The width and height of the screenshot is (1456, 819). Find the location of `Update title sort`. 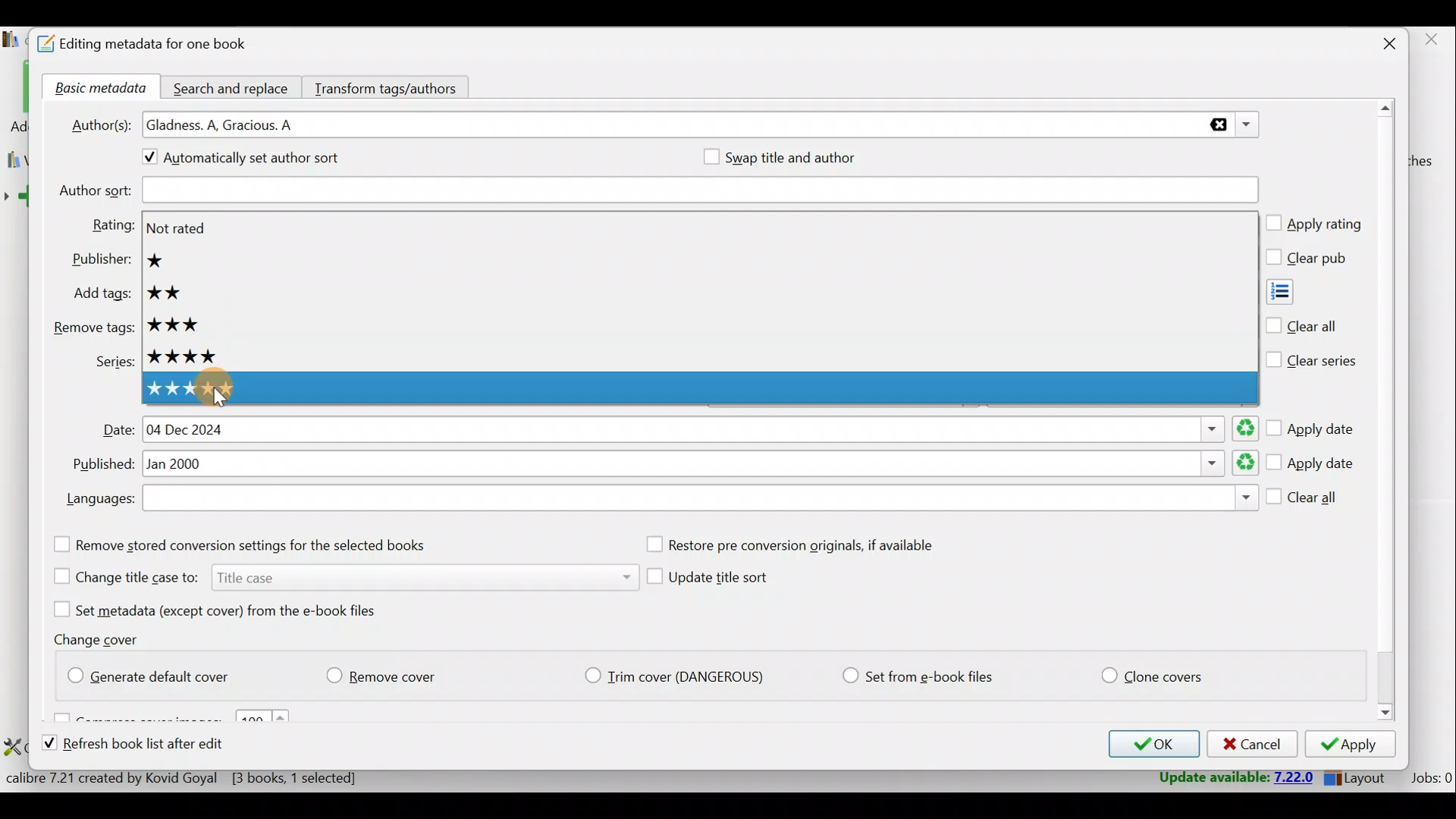

Update title sort is located at coordinates (722, 580).